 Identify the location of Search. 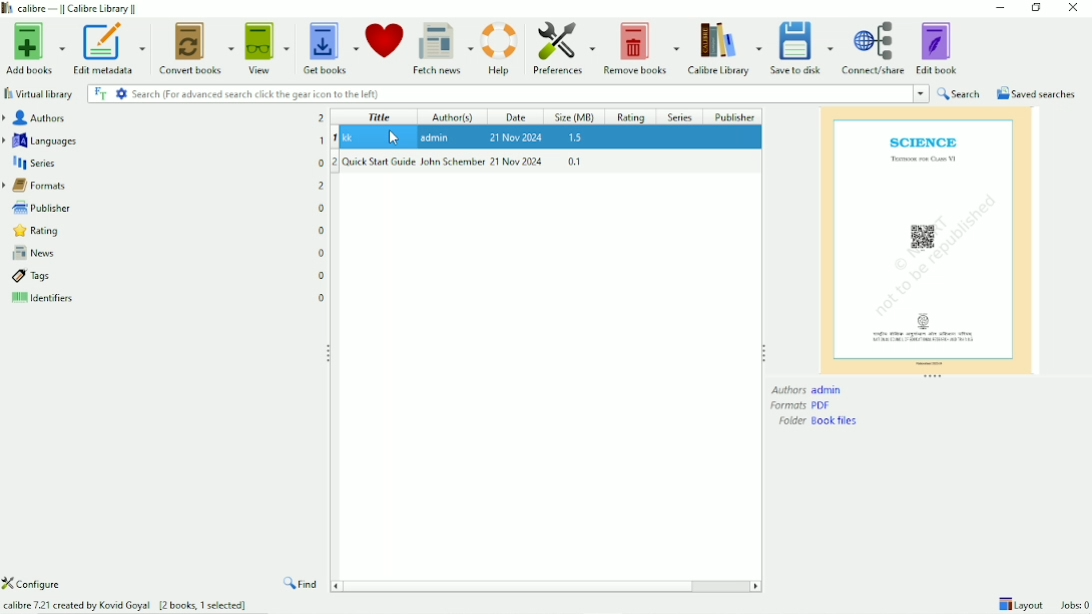
(959, 93).